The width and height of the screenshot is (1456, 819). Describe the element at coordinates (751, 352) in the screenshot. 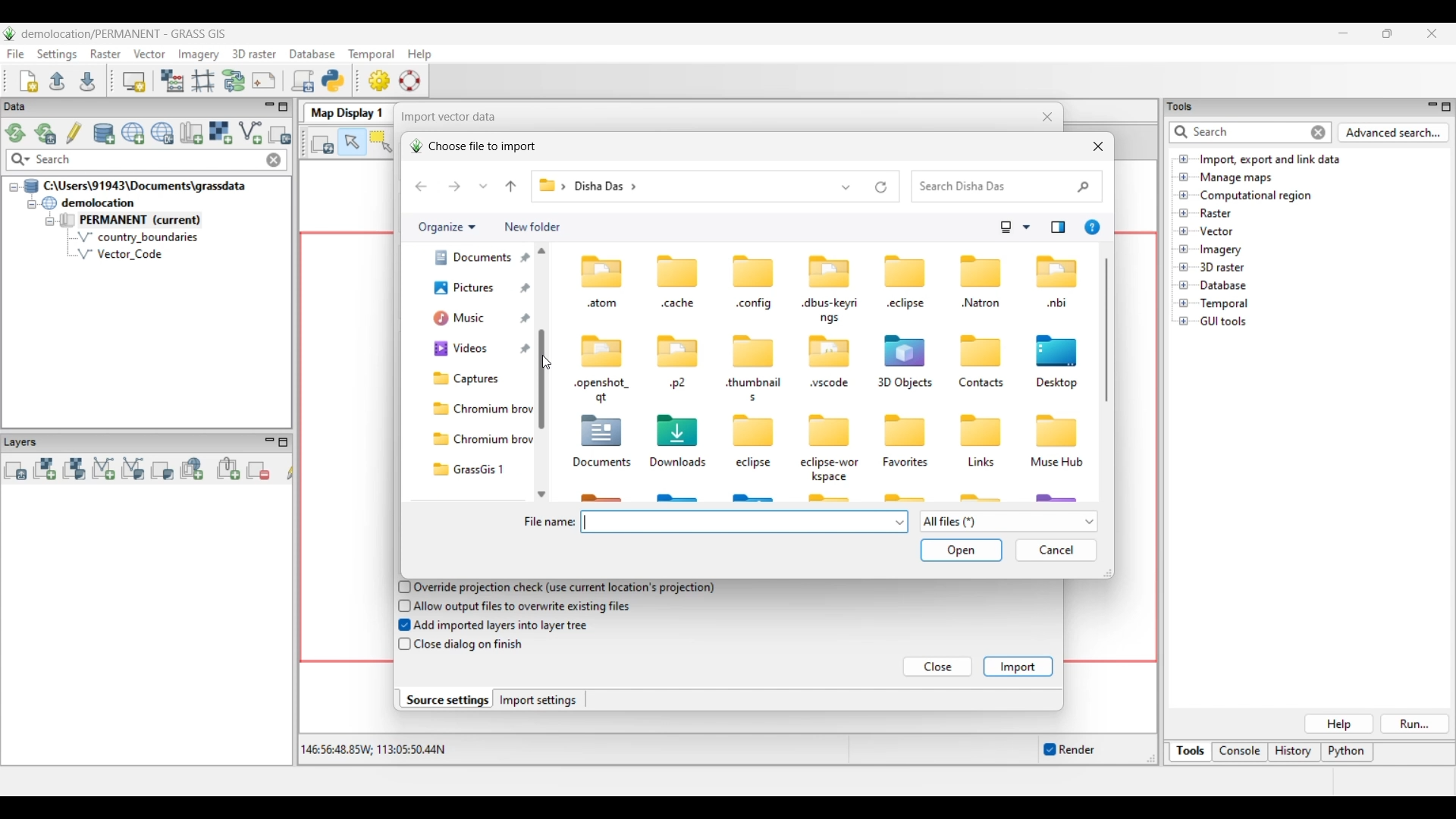

I see `icon` at that location.